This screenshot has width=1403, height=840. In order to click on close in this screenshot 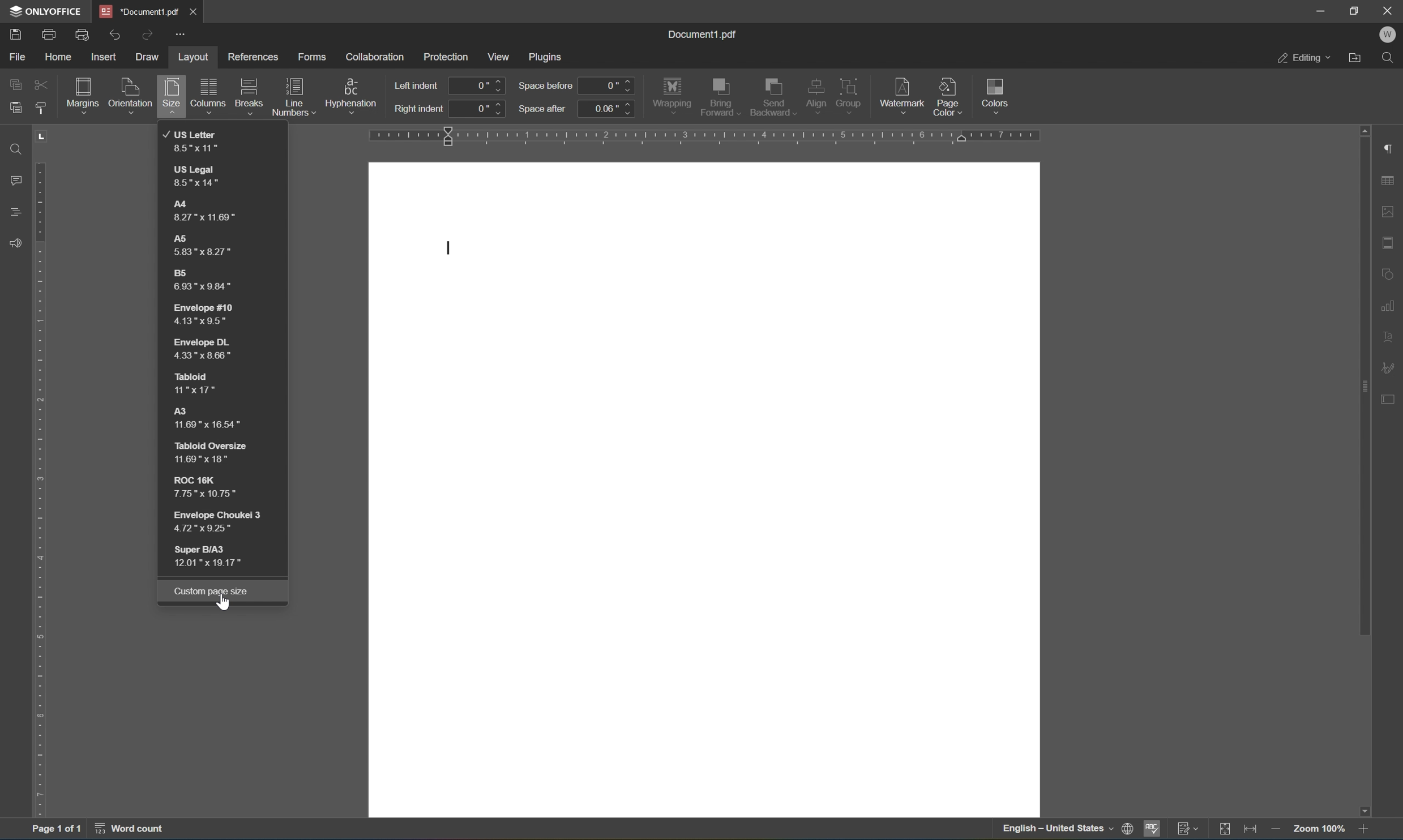, I will do `click(1388, 10)`.